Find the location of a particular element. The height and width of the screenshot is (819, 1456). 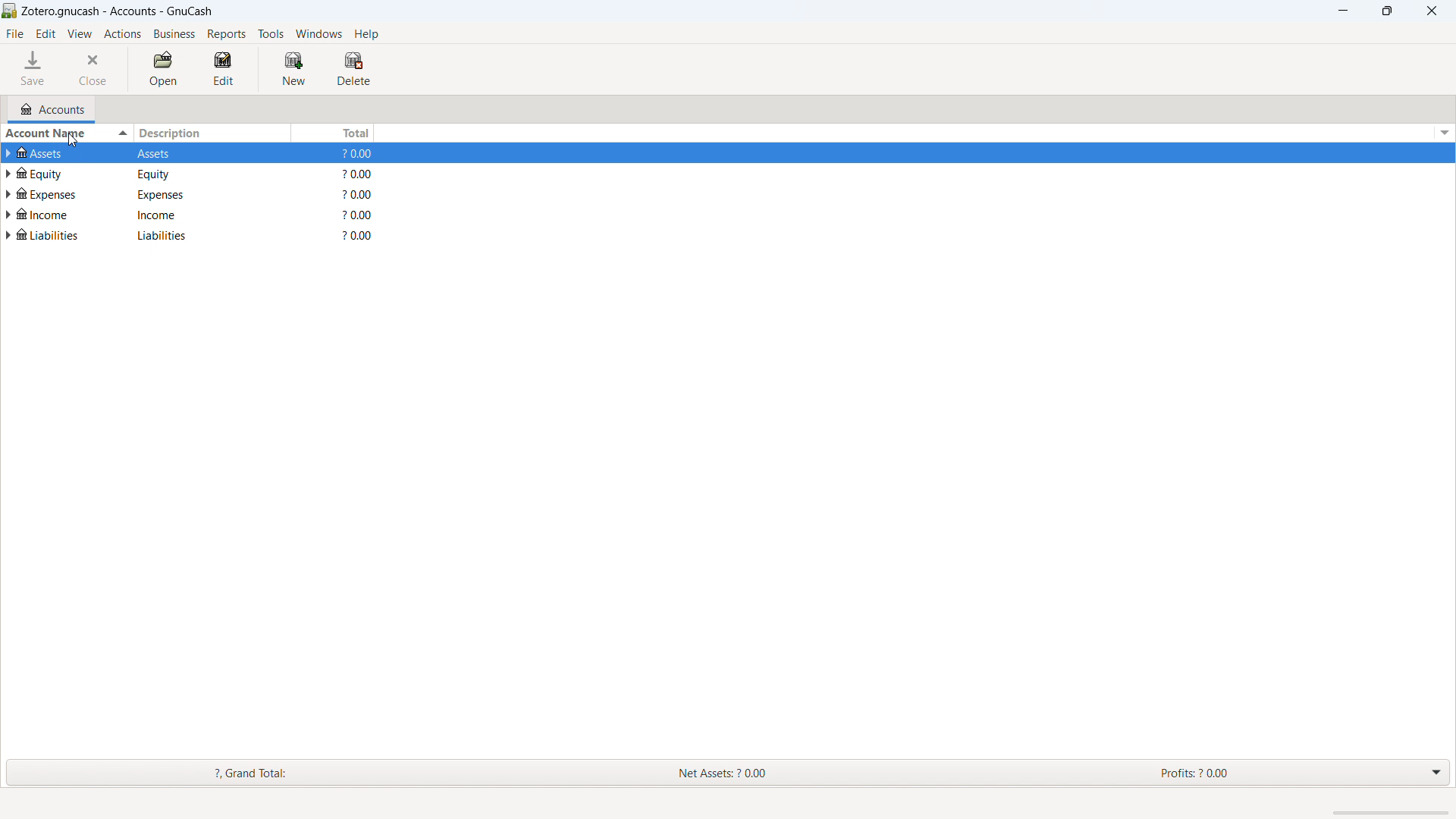

edit is located at coordinates (46, 35).